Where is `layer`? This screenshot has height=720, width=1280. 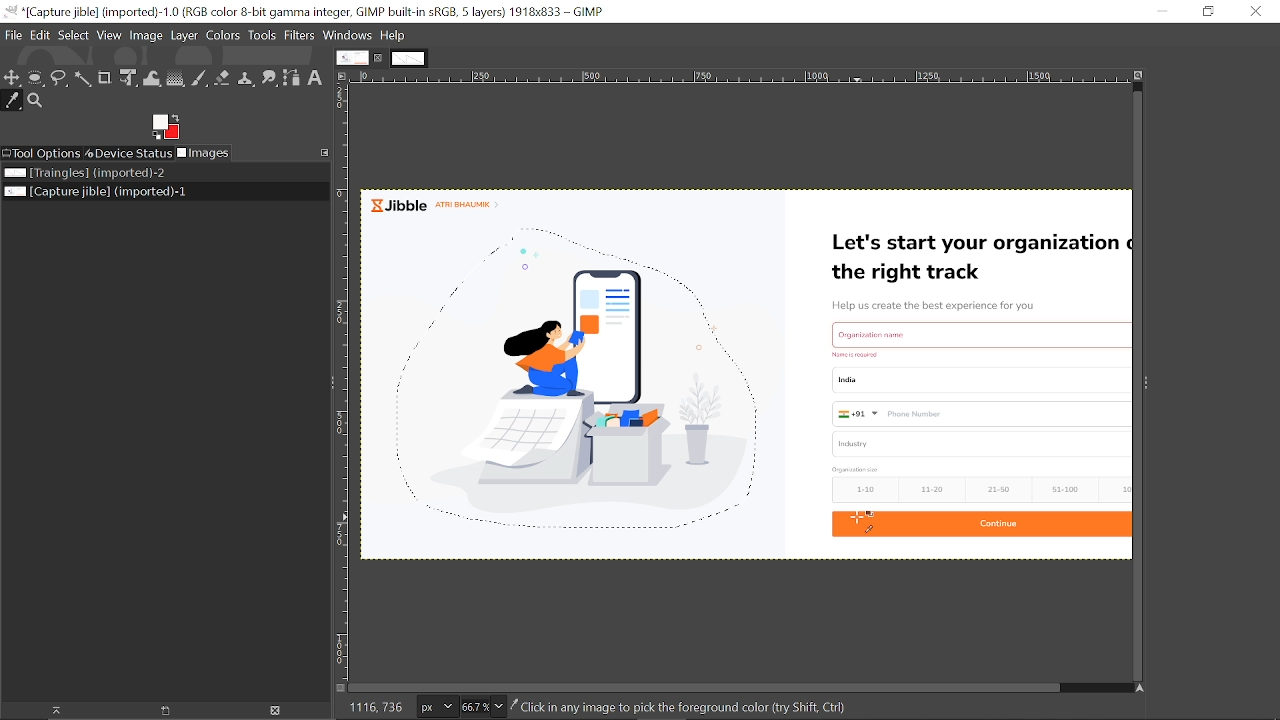
layer is located at coordinates (184, 36).